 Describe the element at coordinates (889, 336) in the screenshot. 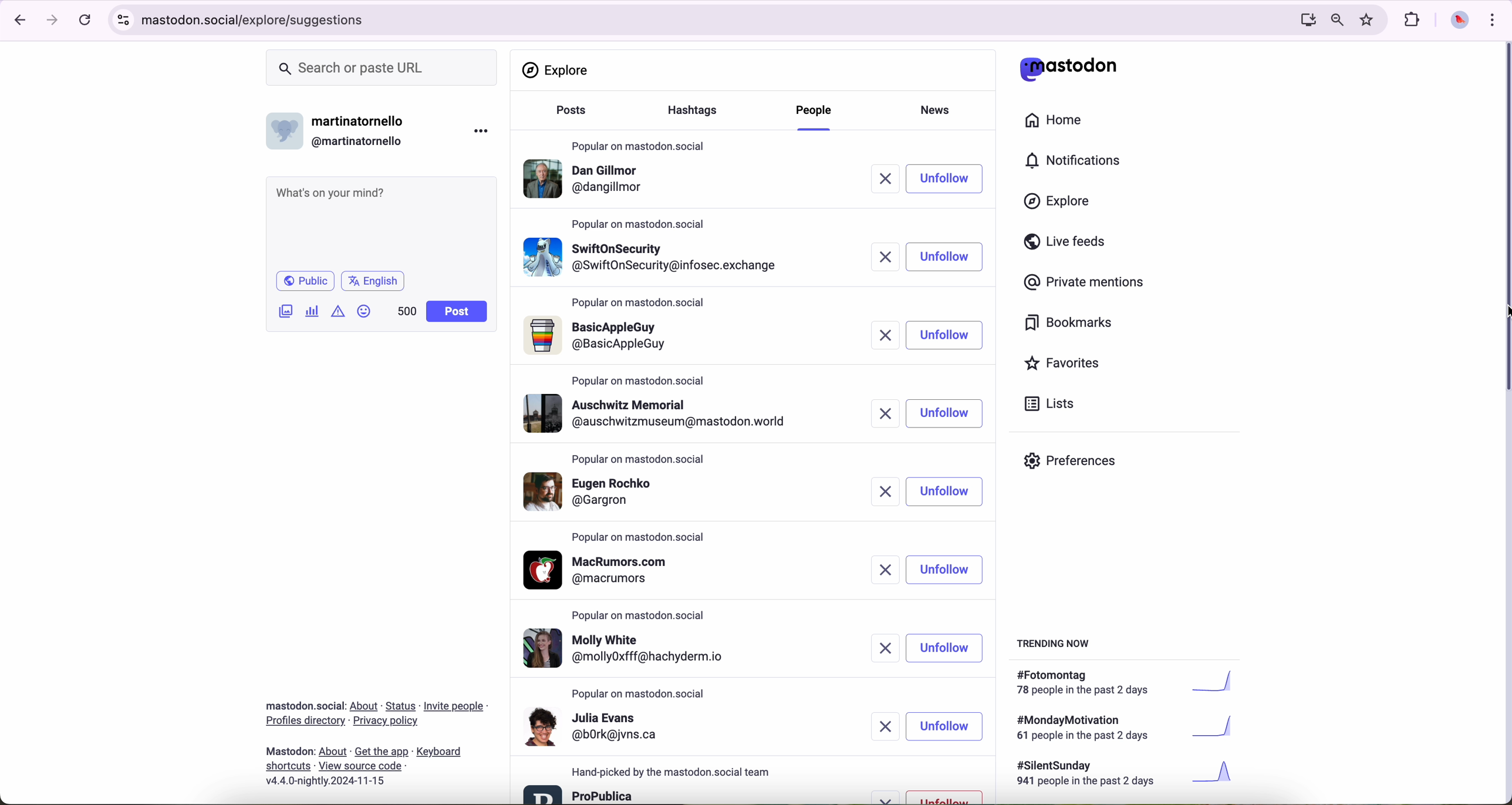

I see `remove` at that location.